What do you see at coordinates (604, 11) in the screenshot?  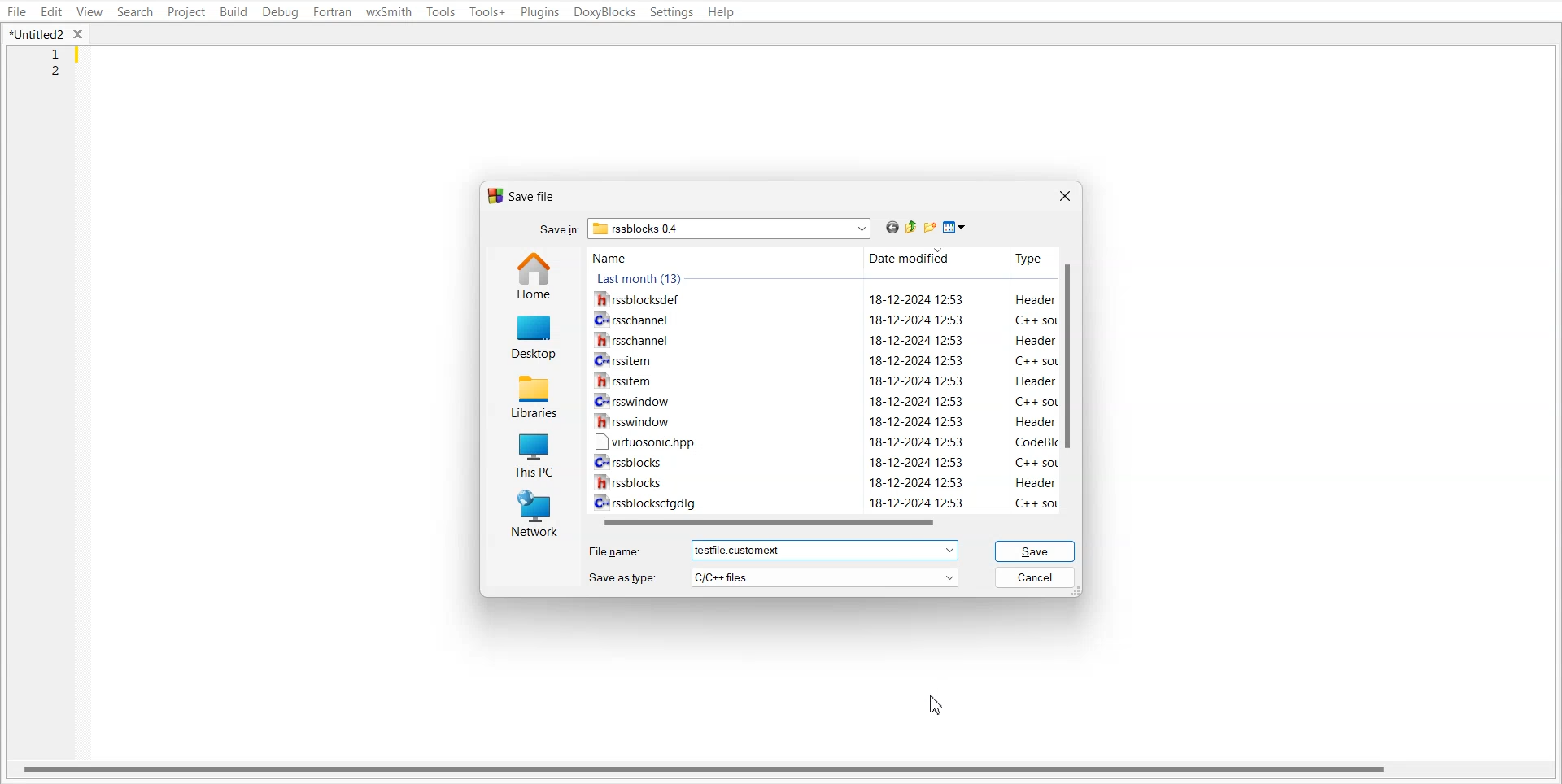 I see `DoxyBlocks` at bounding box center [604, 11].